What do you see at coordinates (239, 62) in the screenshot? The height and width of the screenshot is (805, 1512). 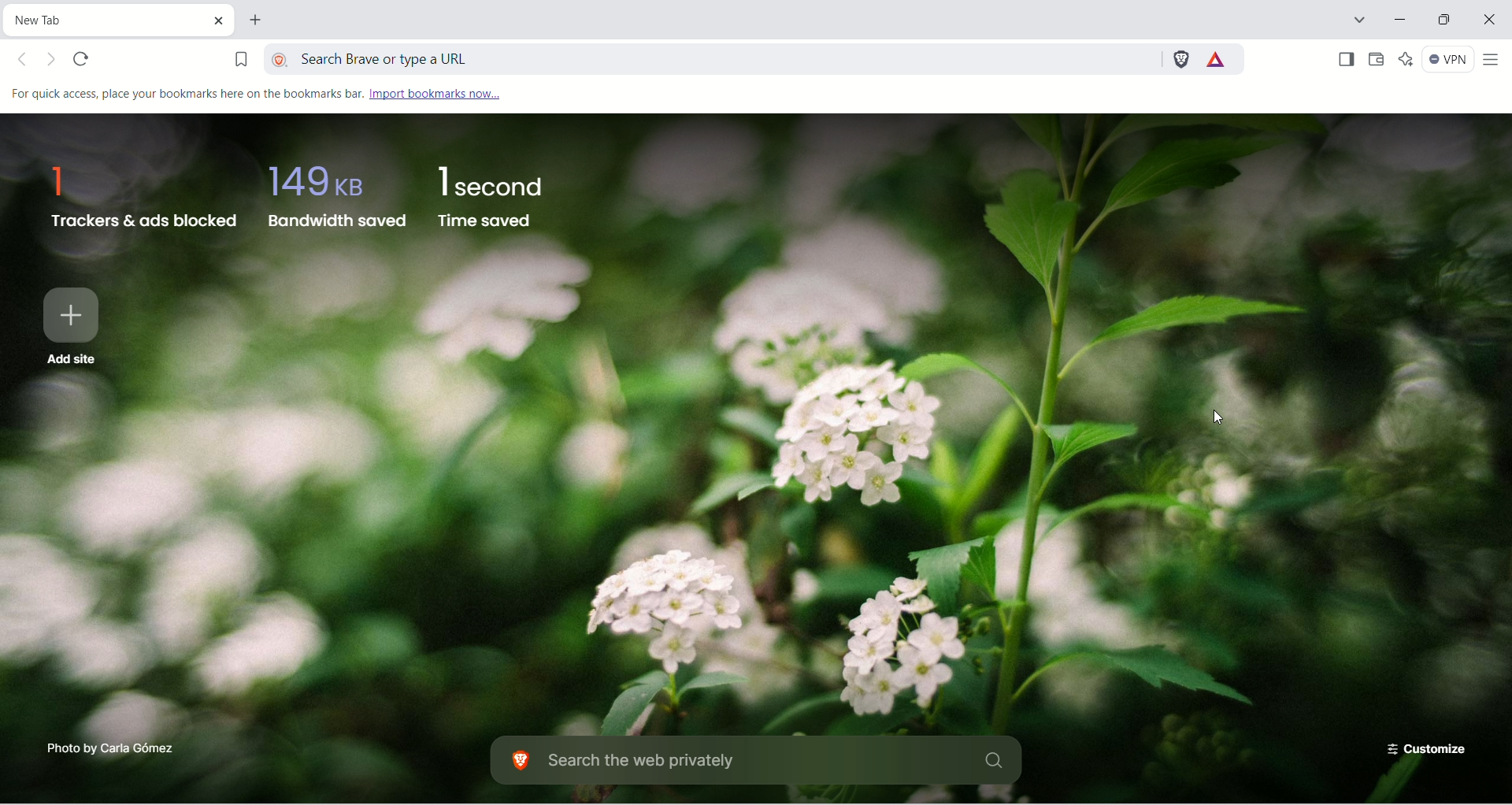 I see `bookmark` at bounding box center [239, 62].